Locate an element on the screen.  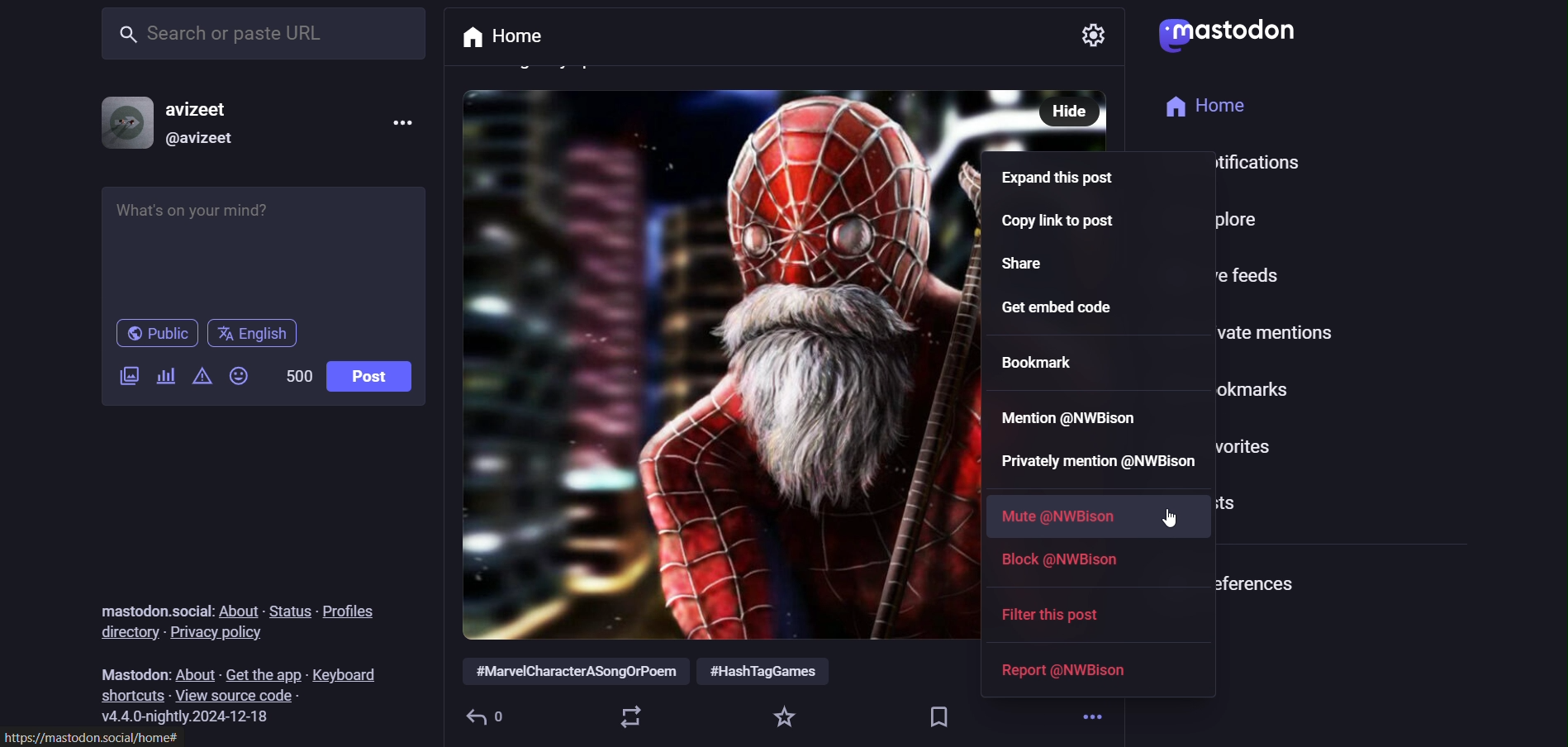
@avizeet is located at coordinates (199, 144).